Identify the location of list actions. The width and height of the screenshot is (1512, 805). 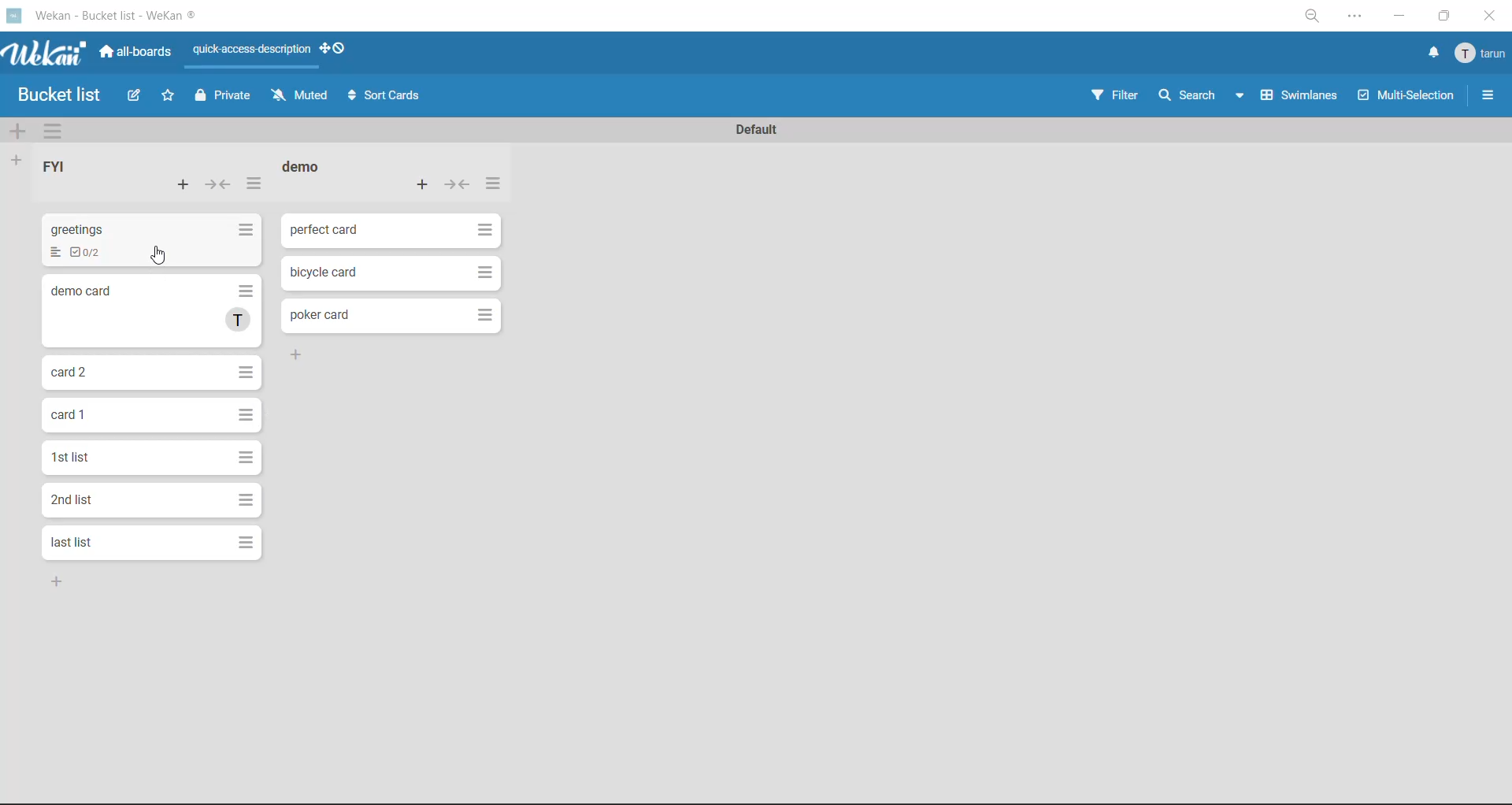
(495, 184).